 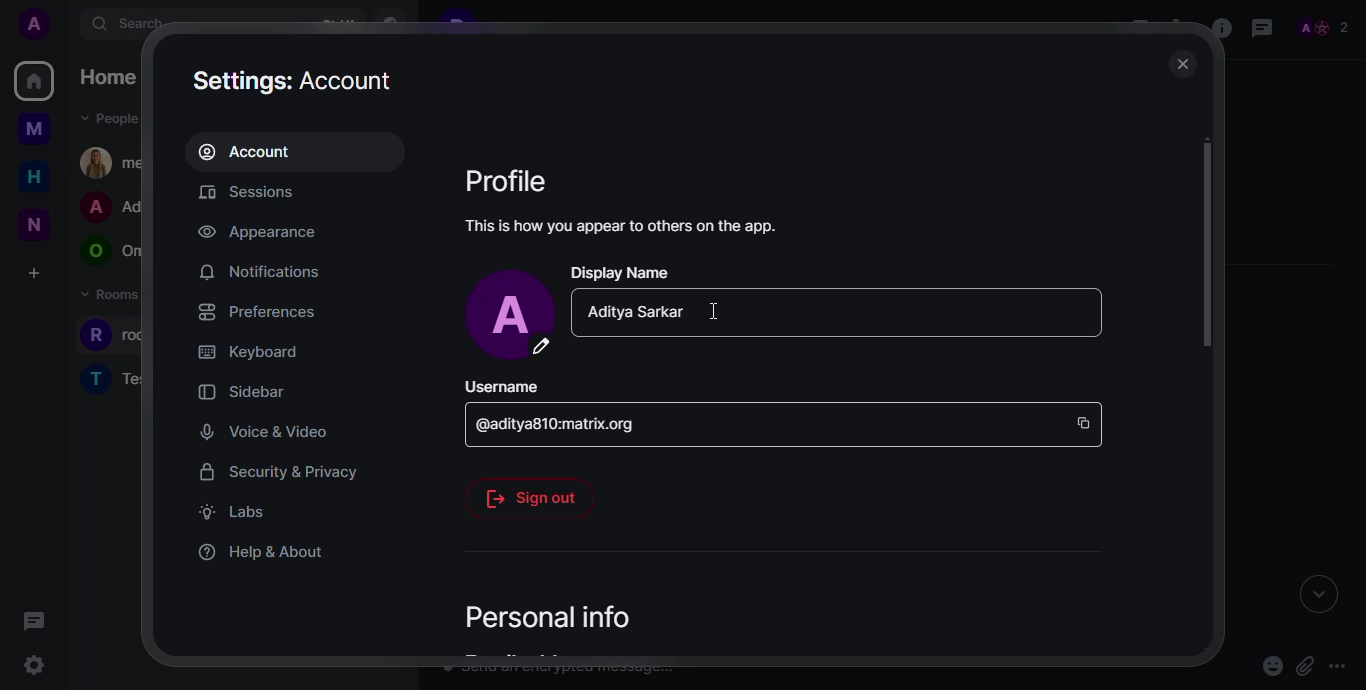 What do you see at coordinates (262, 551) in the screenshot?
I see `help ` at bounding box center [262, 551].